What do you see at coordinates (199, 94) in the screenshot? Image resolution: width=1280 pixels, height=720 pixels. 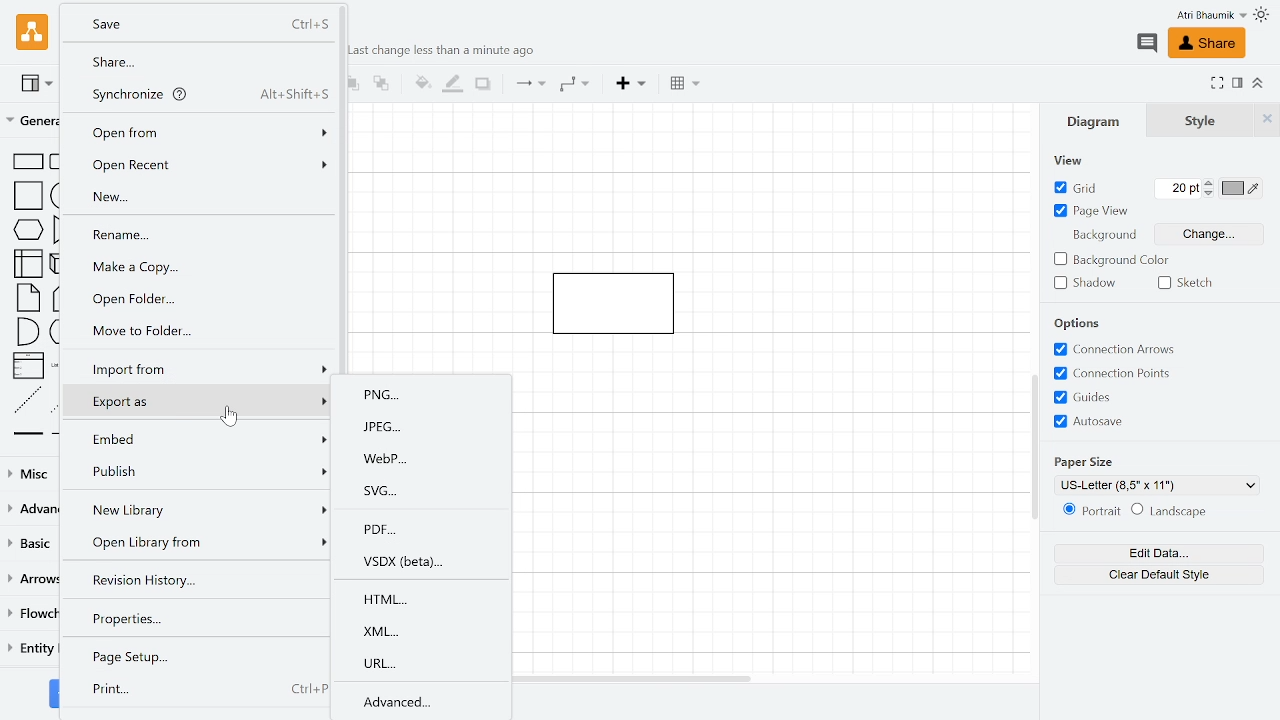 I see `Synchronize` at bounding box center [199, 94].